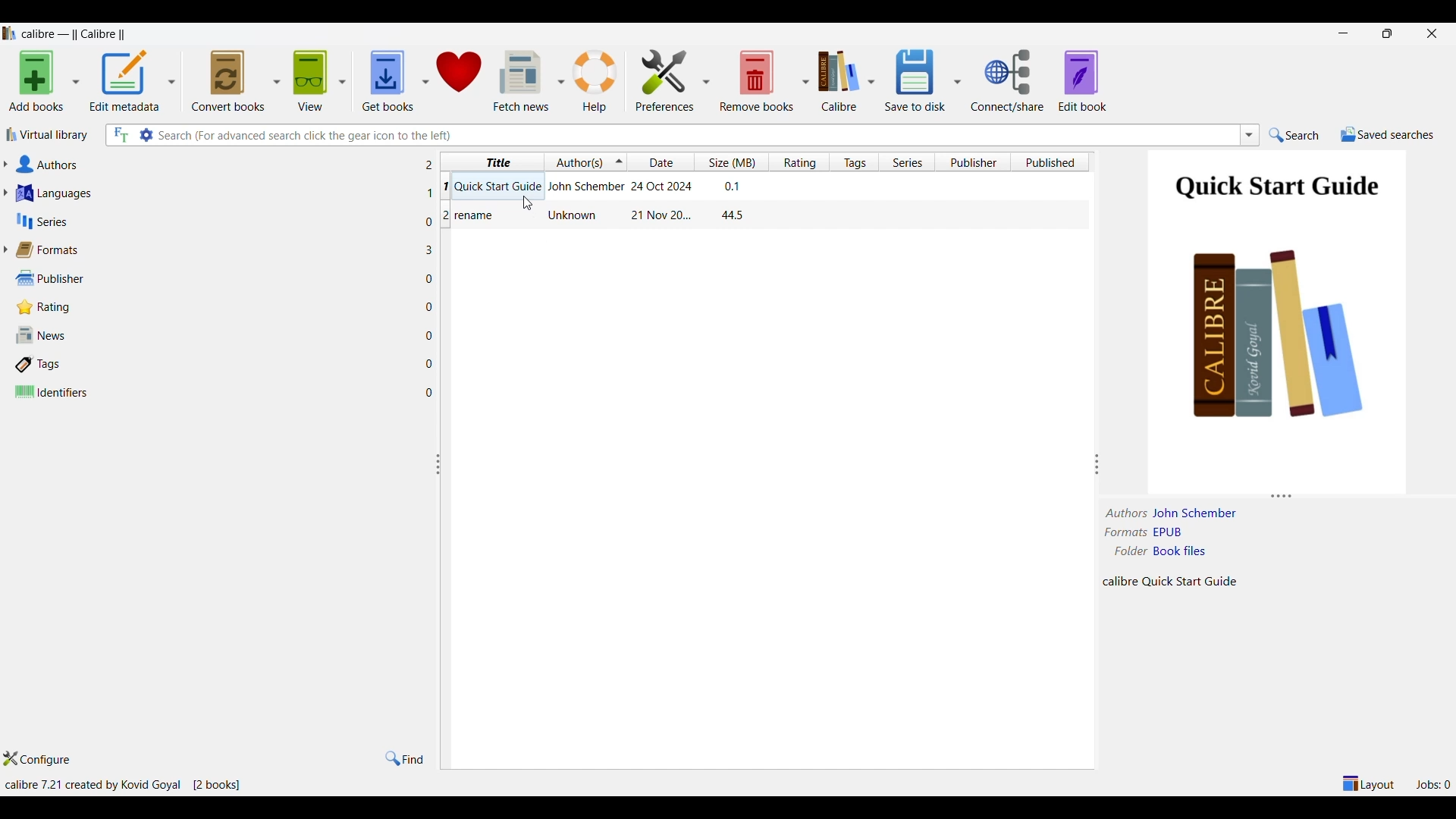 Image resolution: width=1456 pixels, height=819 pixels. Describe the element at coordinates (598, 216) in the screenshot. I see `Book: rename` at that location.